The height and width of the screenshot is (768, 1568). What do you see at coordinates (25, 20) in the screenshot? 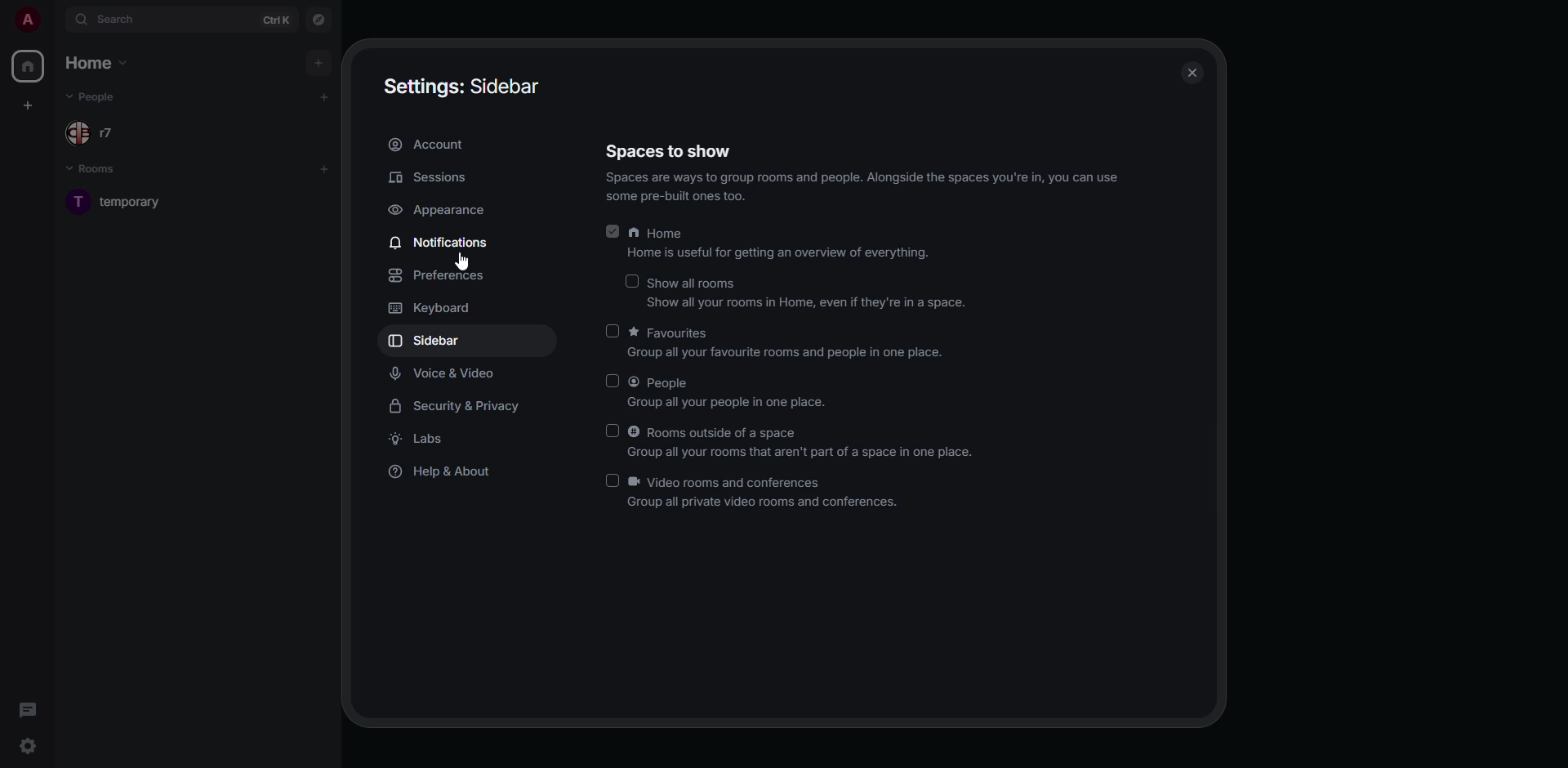
I see `profile` at bounding box center [25, 20].